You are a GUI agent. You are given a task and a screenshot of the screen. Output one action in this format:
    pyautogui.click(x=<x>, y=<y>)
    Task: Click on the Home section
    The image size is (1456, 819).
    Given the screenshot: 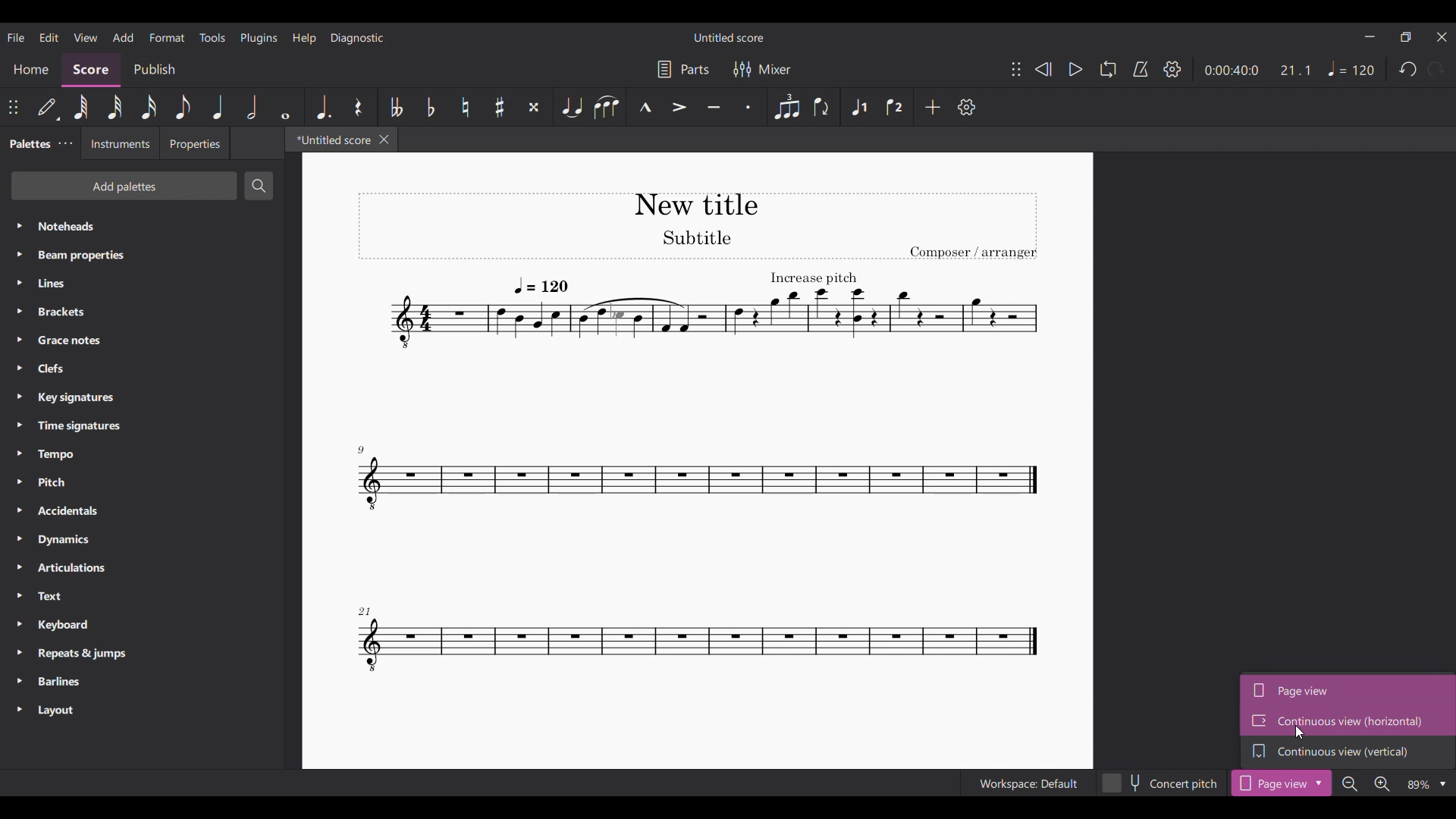 What is the action you would take?
    pyautogui.click(x=30, y=70)
    